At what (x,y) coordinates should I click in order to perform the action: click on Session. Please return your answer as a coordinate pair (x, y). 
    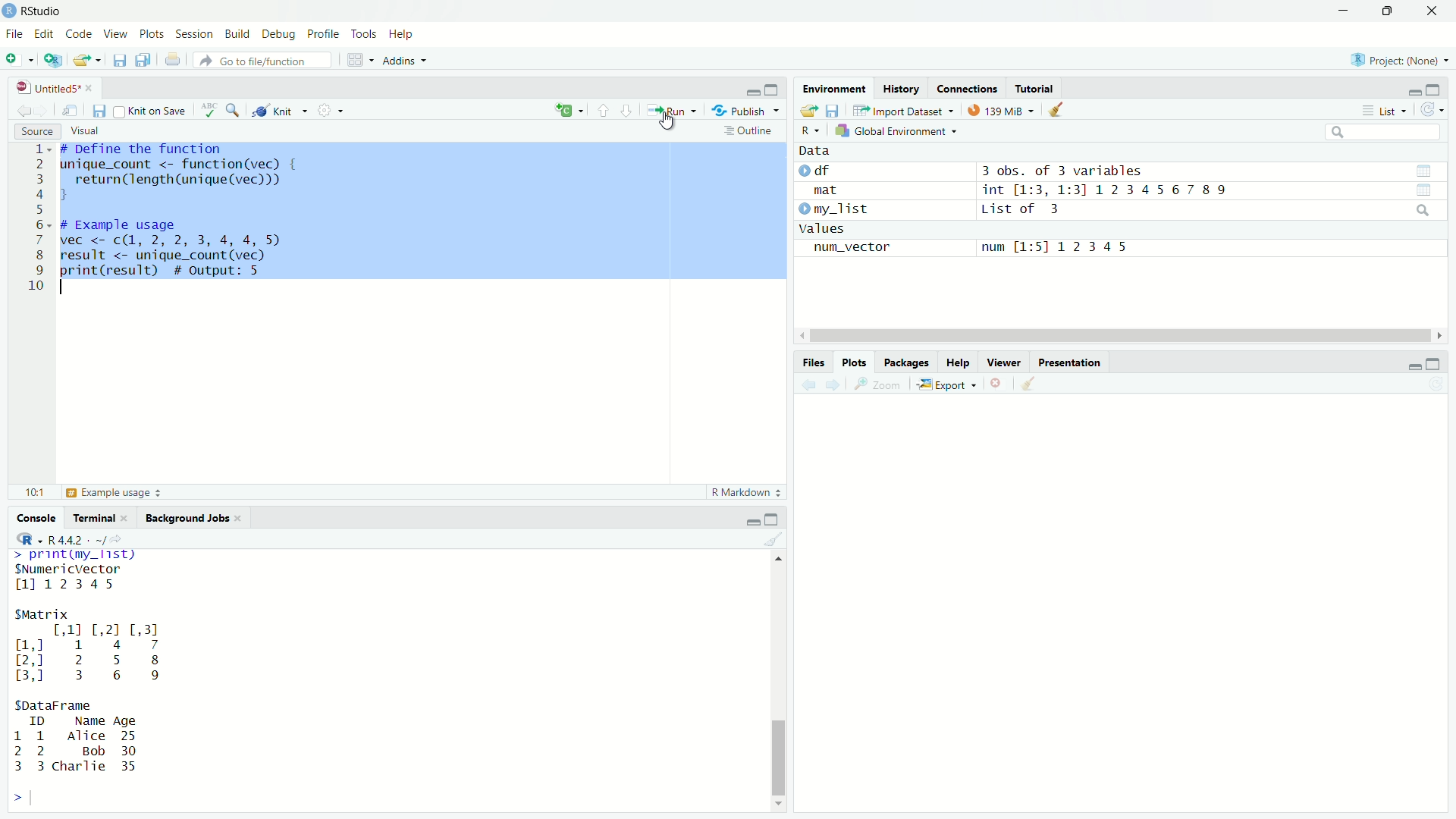
    Looking at the image, I should click on (195, 33).